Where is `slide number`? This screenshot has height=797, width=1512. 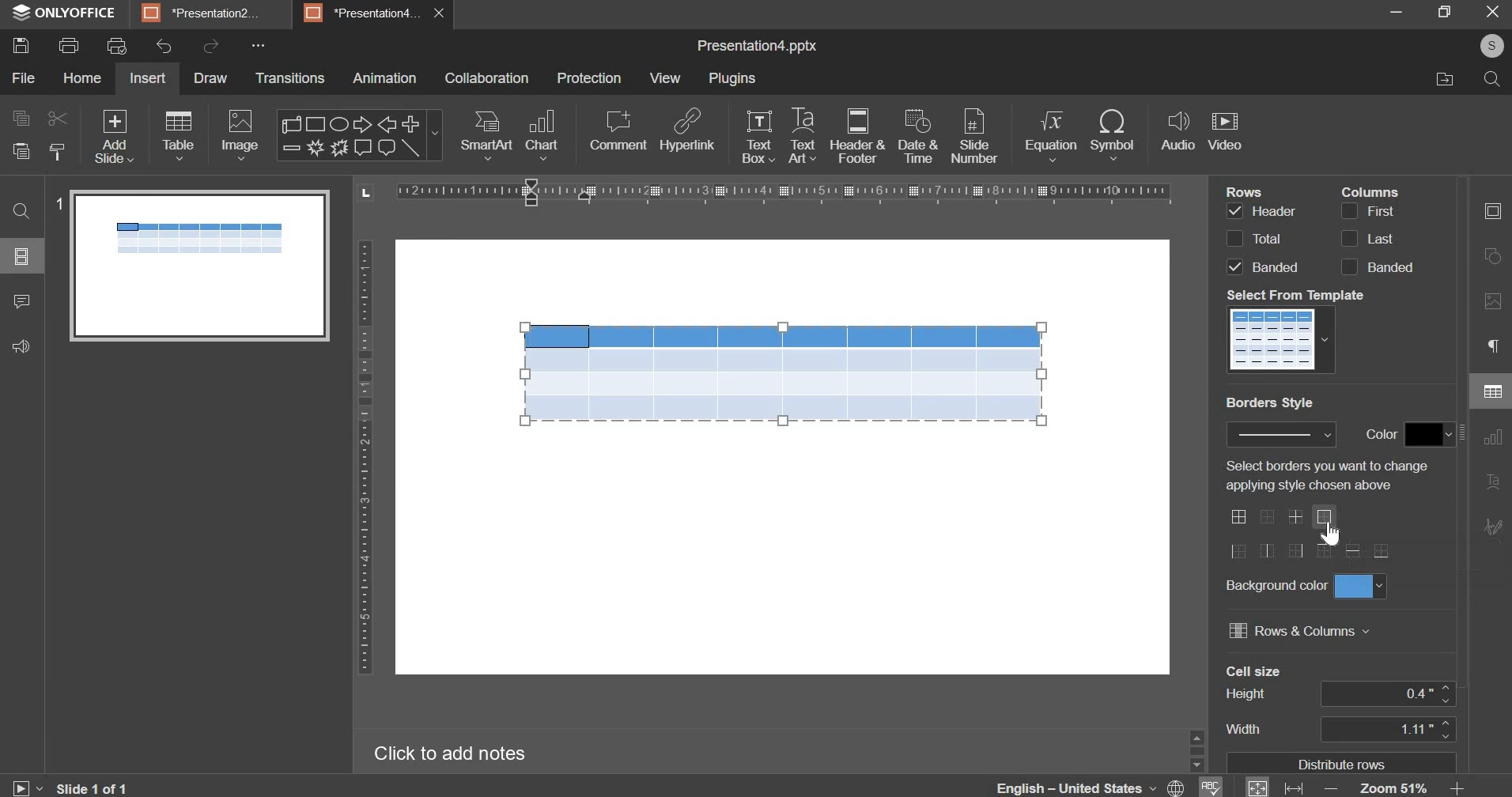
slide number is located at coordinates (979, 135).